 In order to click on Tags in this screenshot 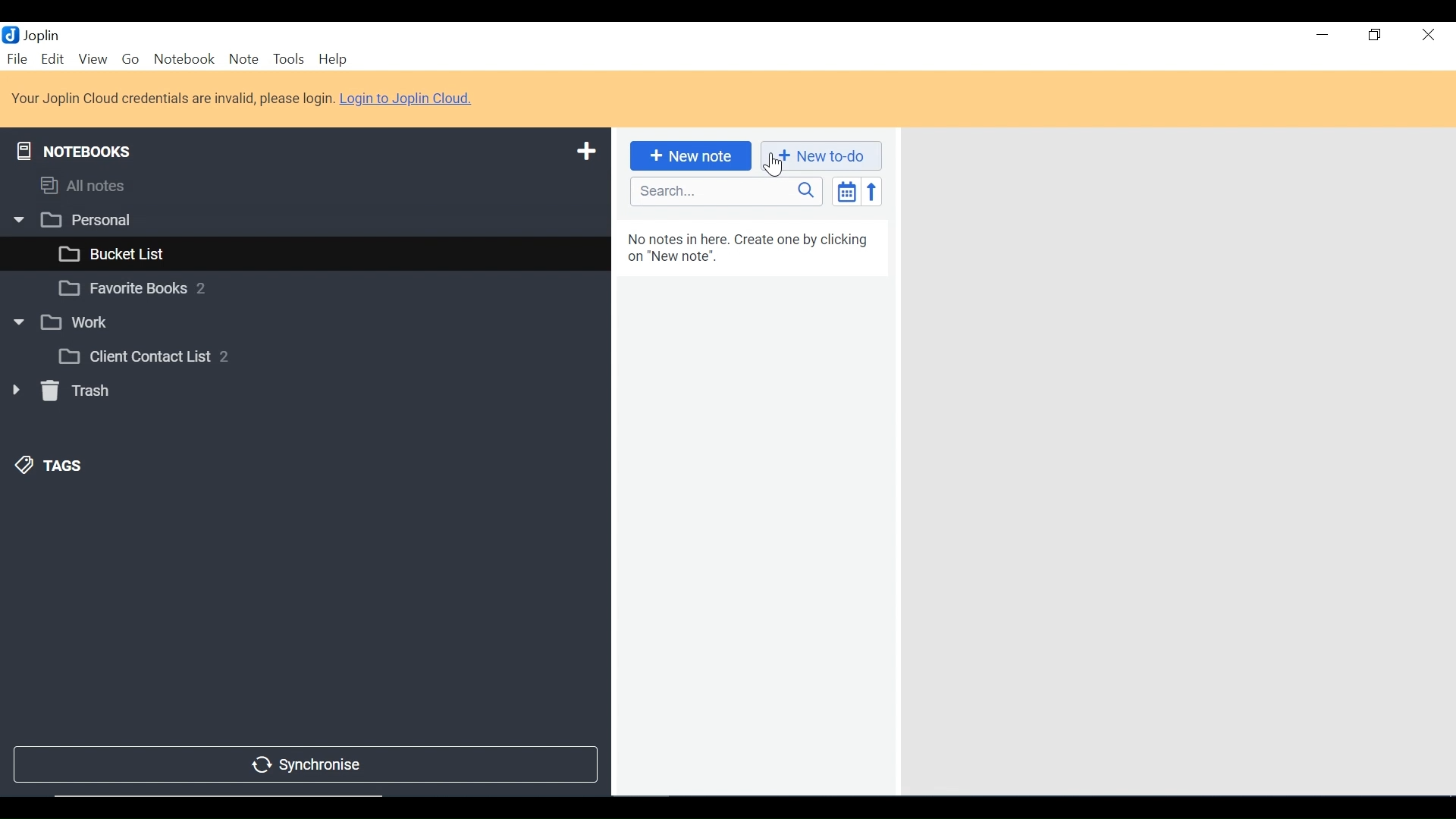, I will do `click(50, 465)`.